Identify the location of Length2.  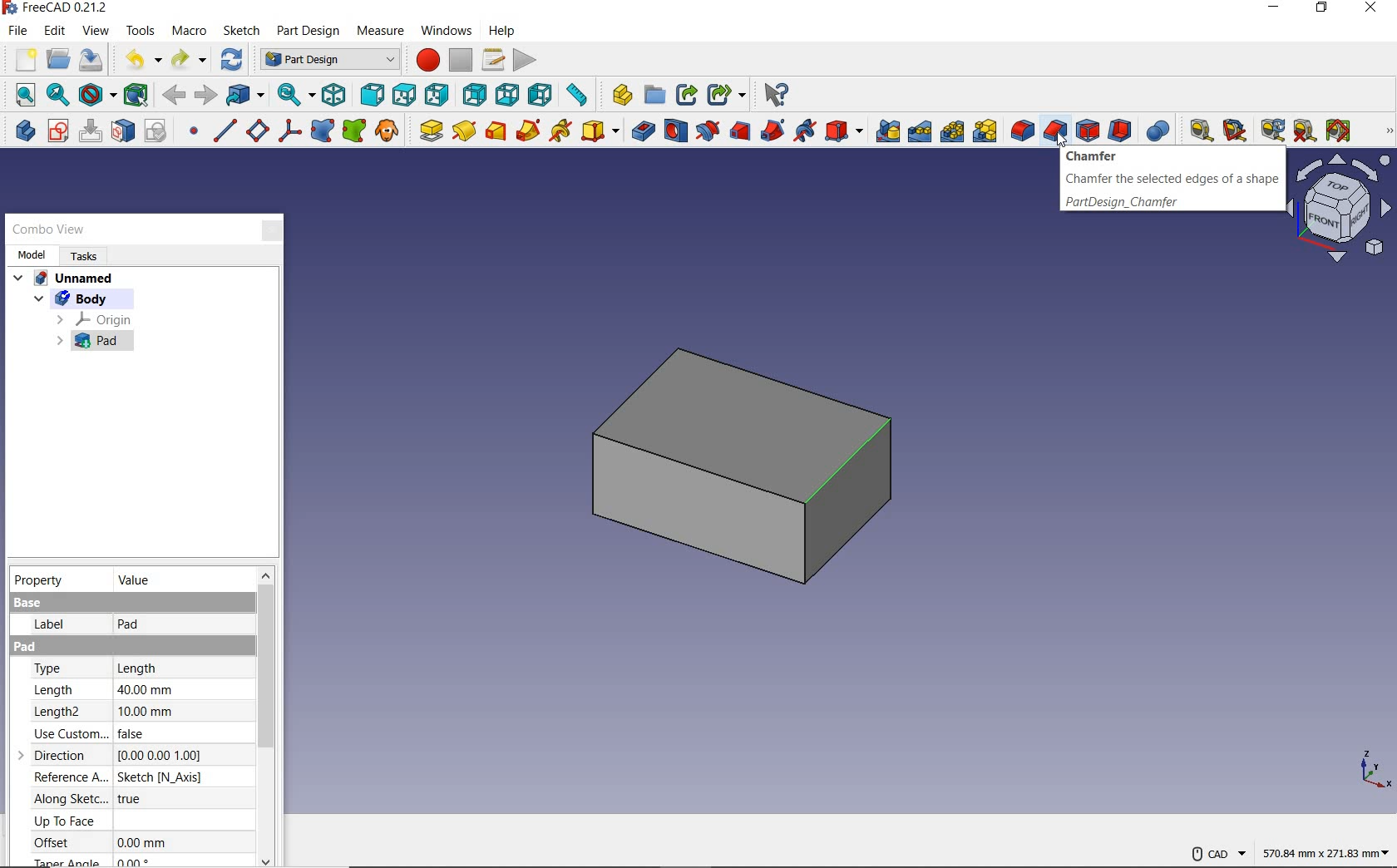
(68, 710).